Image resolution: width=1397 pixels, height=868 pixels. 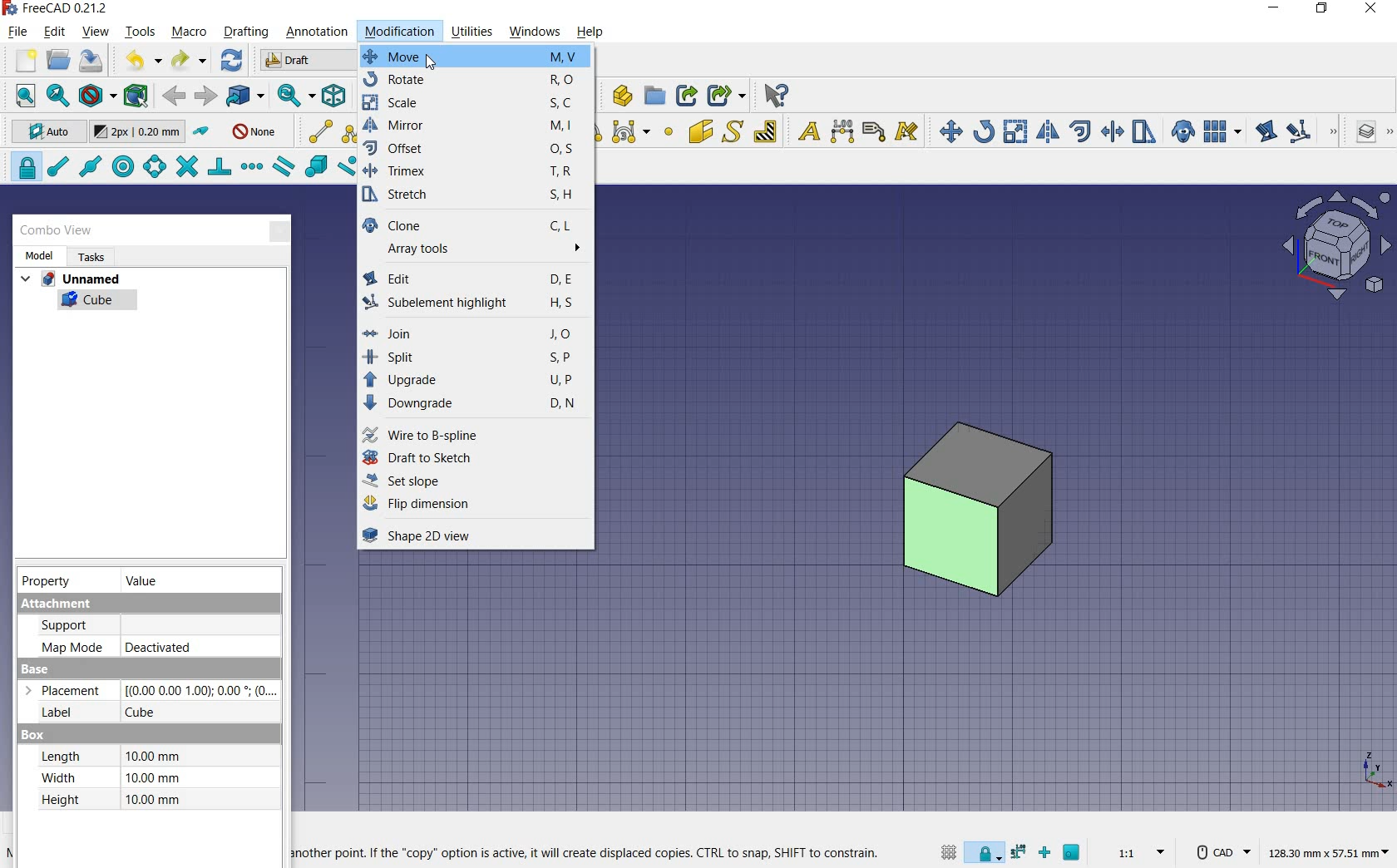 I want to click on Label, so click(x=51, y=713).